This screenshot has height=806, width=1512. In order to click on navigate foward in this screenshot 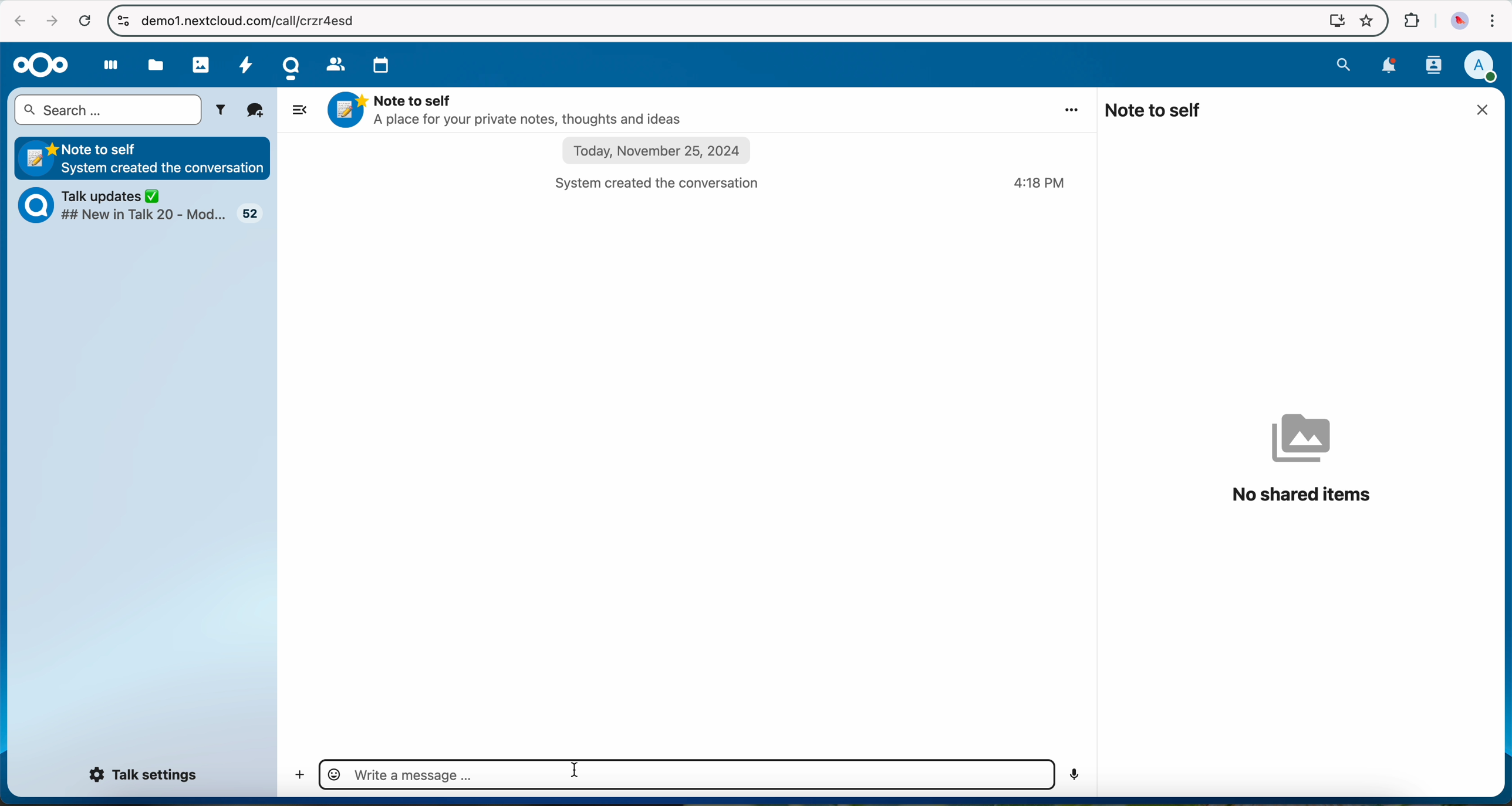, I will do `click(51, 22)`.